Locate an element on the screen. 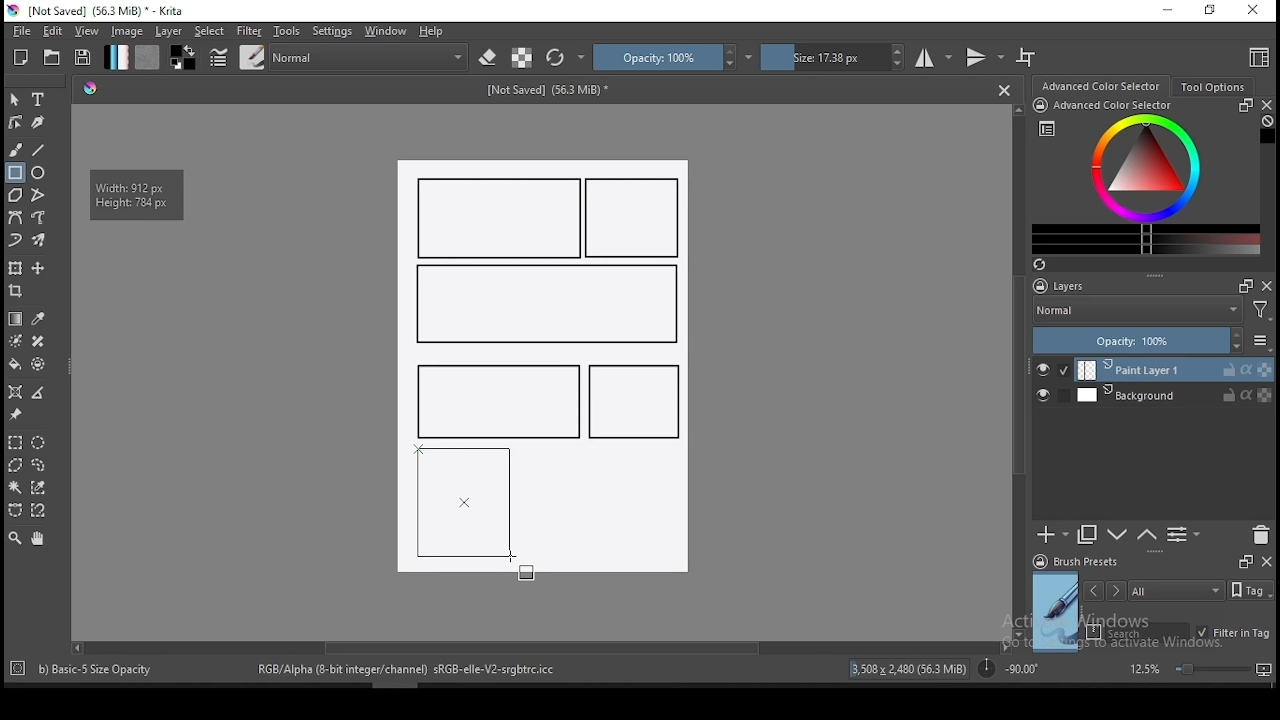  restore is located at coordinates (1214, 11).